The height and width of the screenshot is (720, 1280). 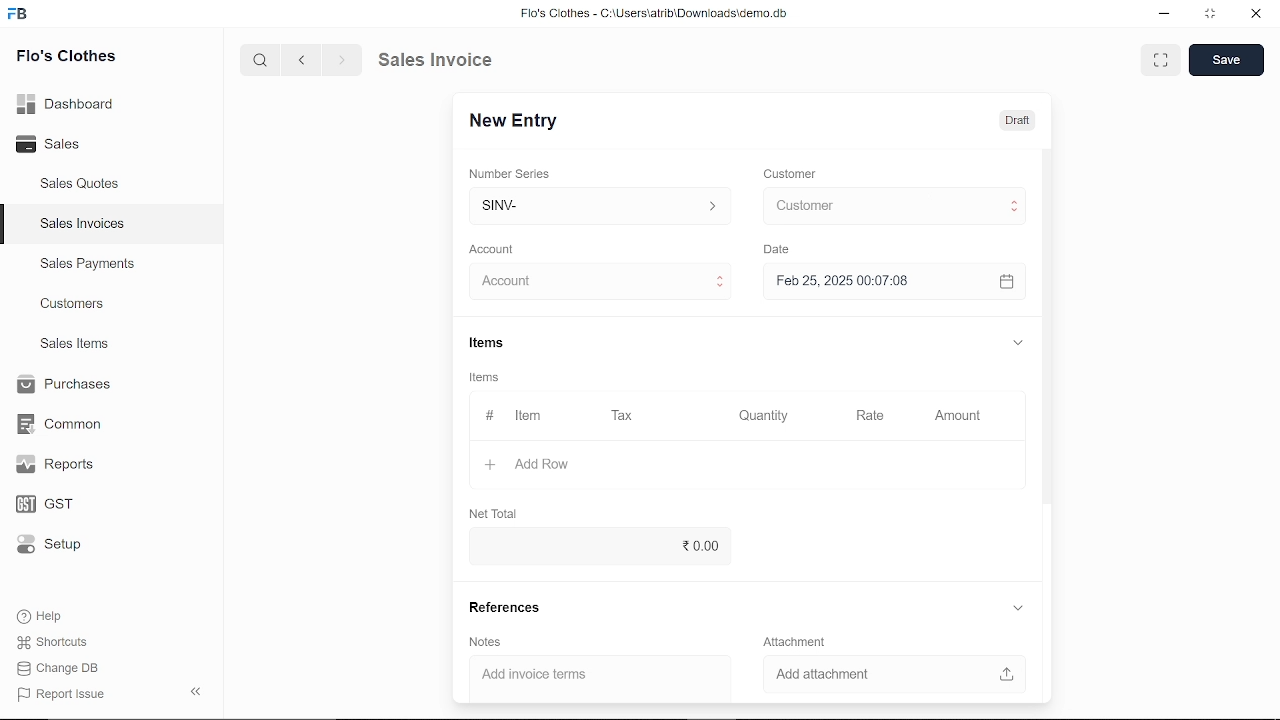 What do you see at coordinates (64, 59) in the screenshot?
I see `Flo's Clothes` at bounding box center [64, 59].